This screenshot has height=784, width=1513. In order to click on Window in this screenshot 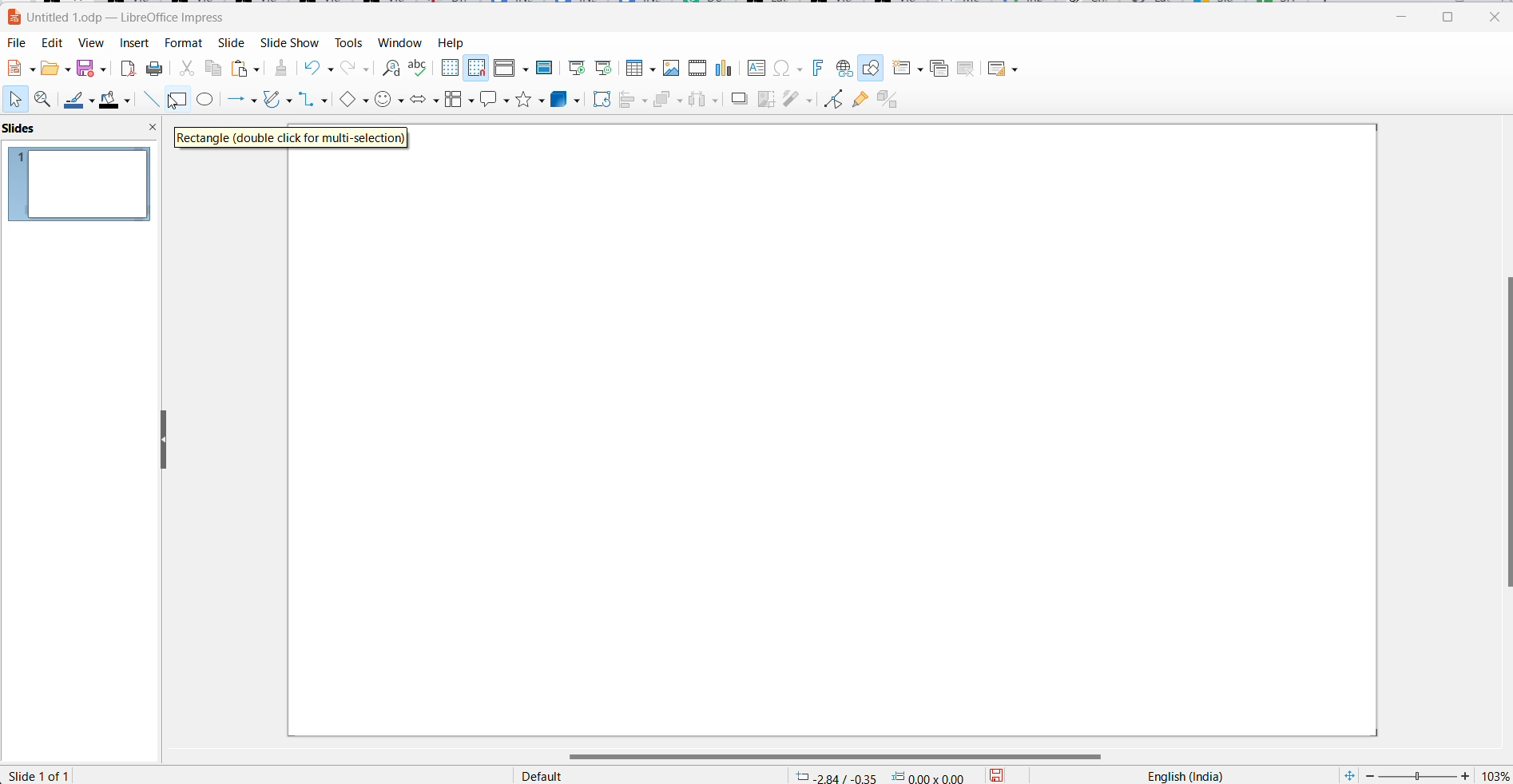, I will do `click(400, 44)`.